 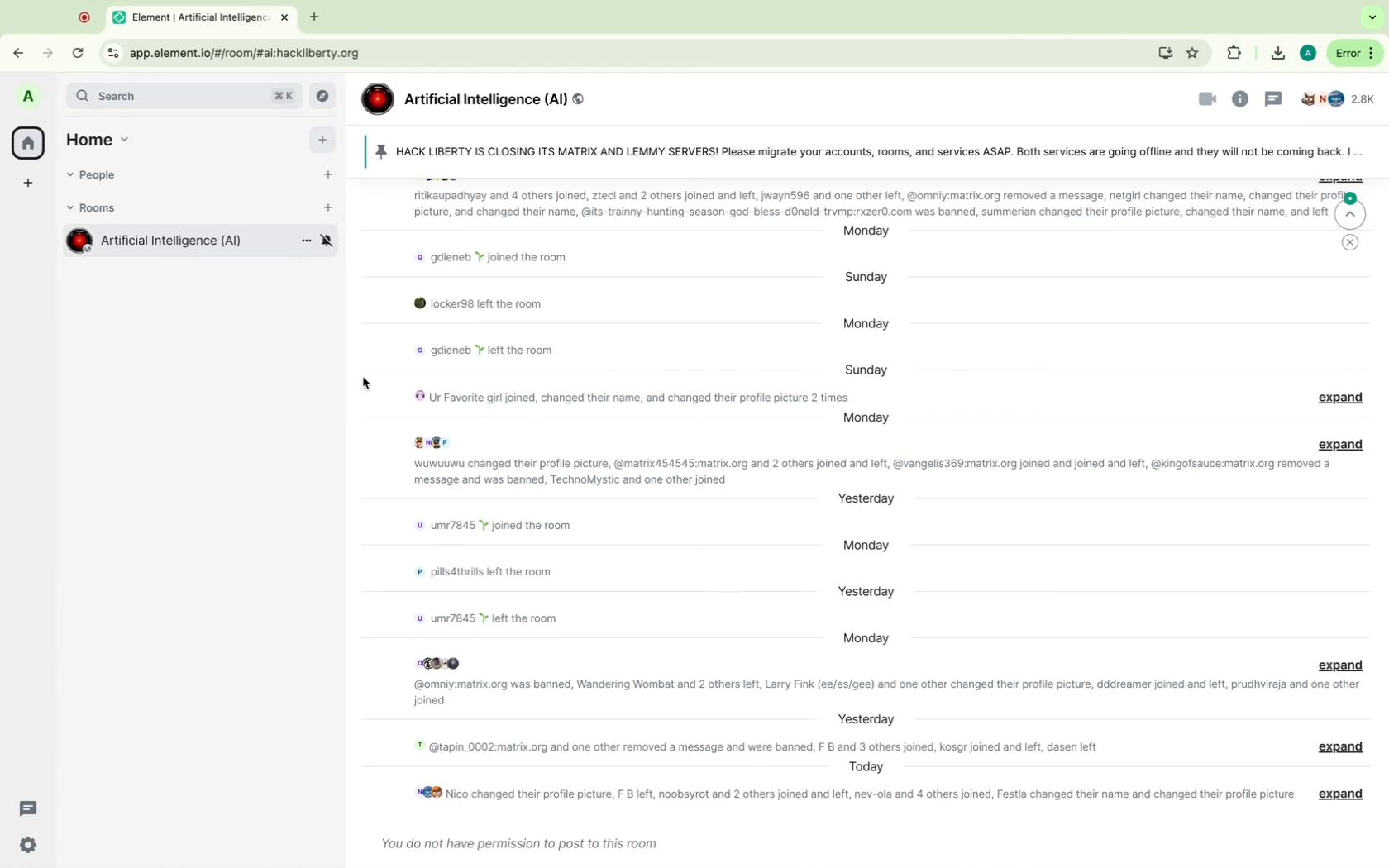 I want to click on day, so click(x=865, y=421).